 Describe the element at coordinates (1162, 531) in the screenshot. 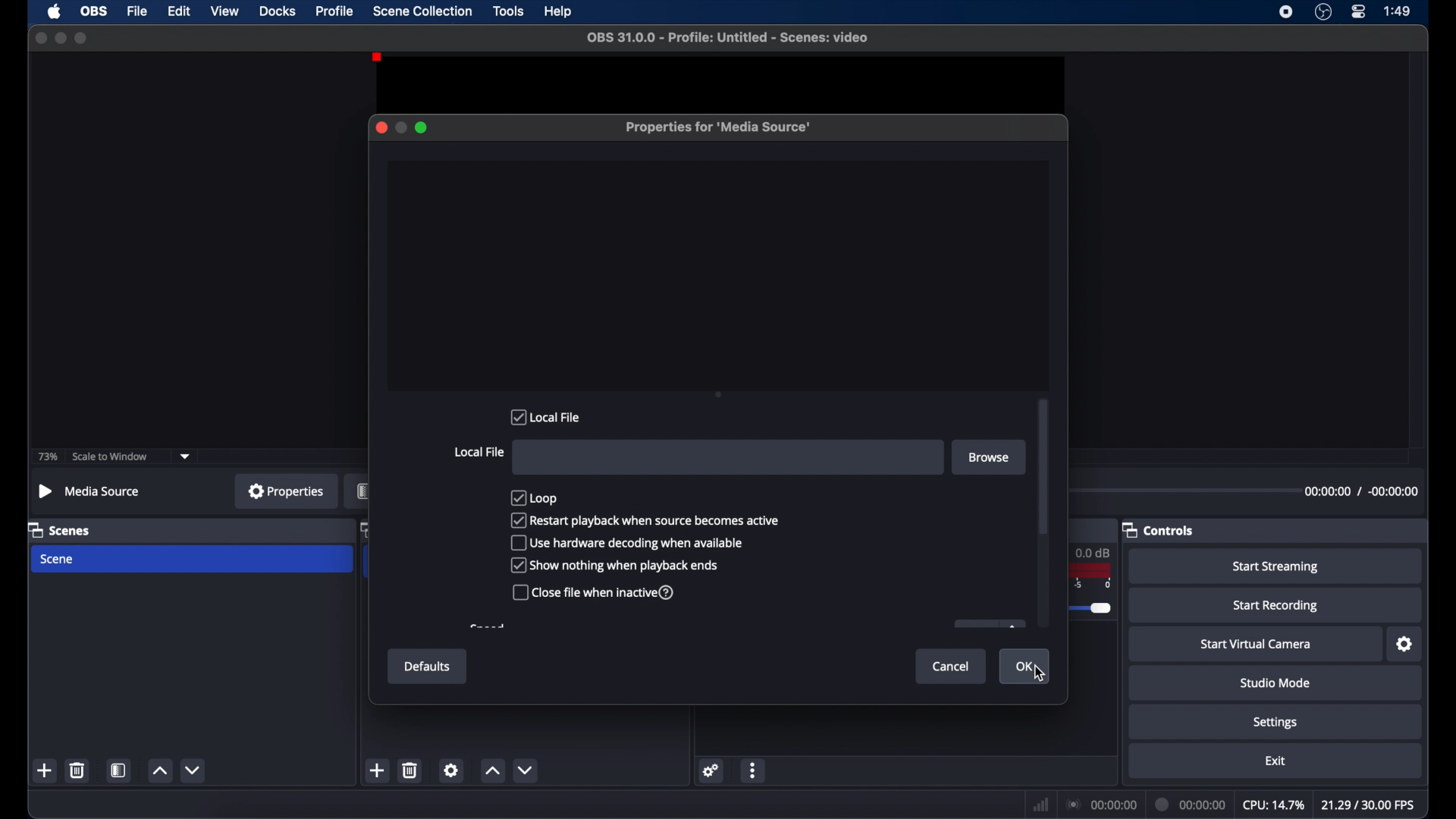

I see `Controls` at that location.